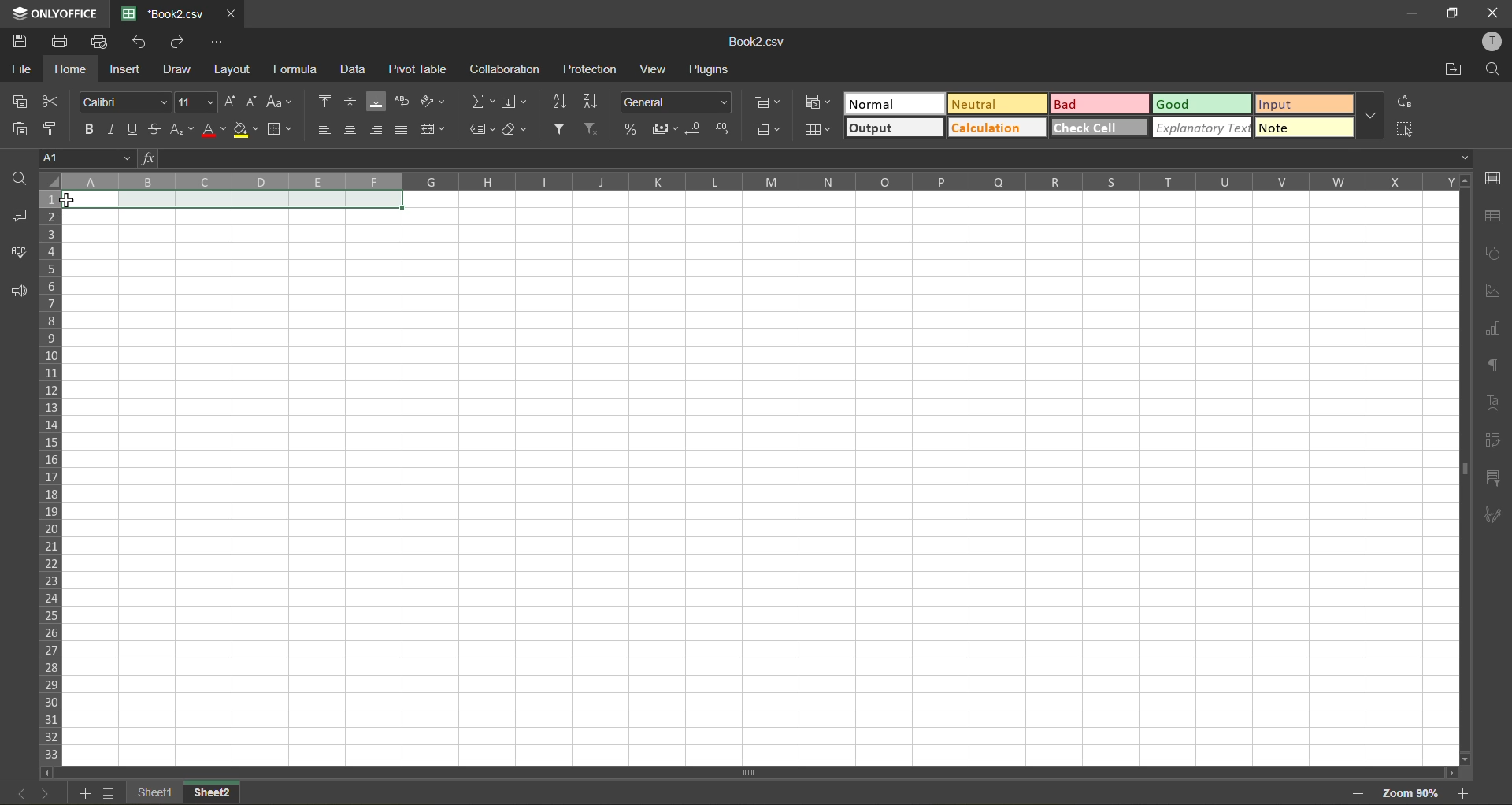  What do you see at coordinates (48, 477) in the screenshot?
I see `row nos` at bounding box center [48, 477].